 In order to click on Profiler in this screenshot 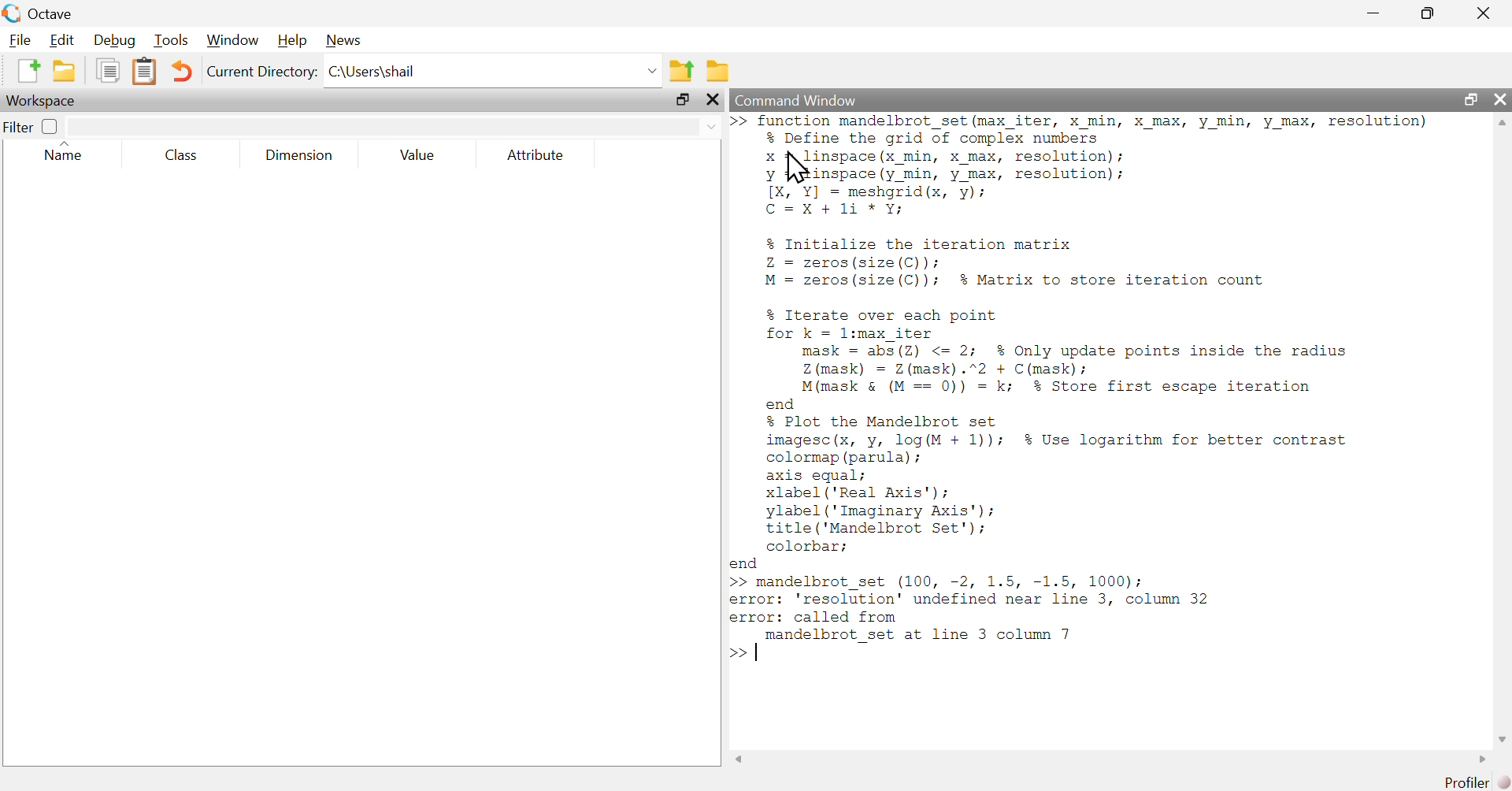, I will do `click(1463, 782)`.